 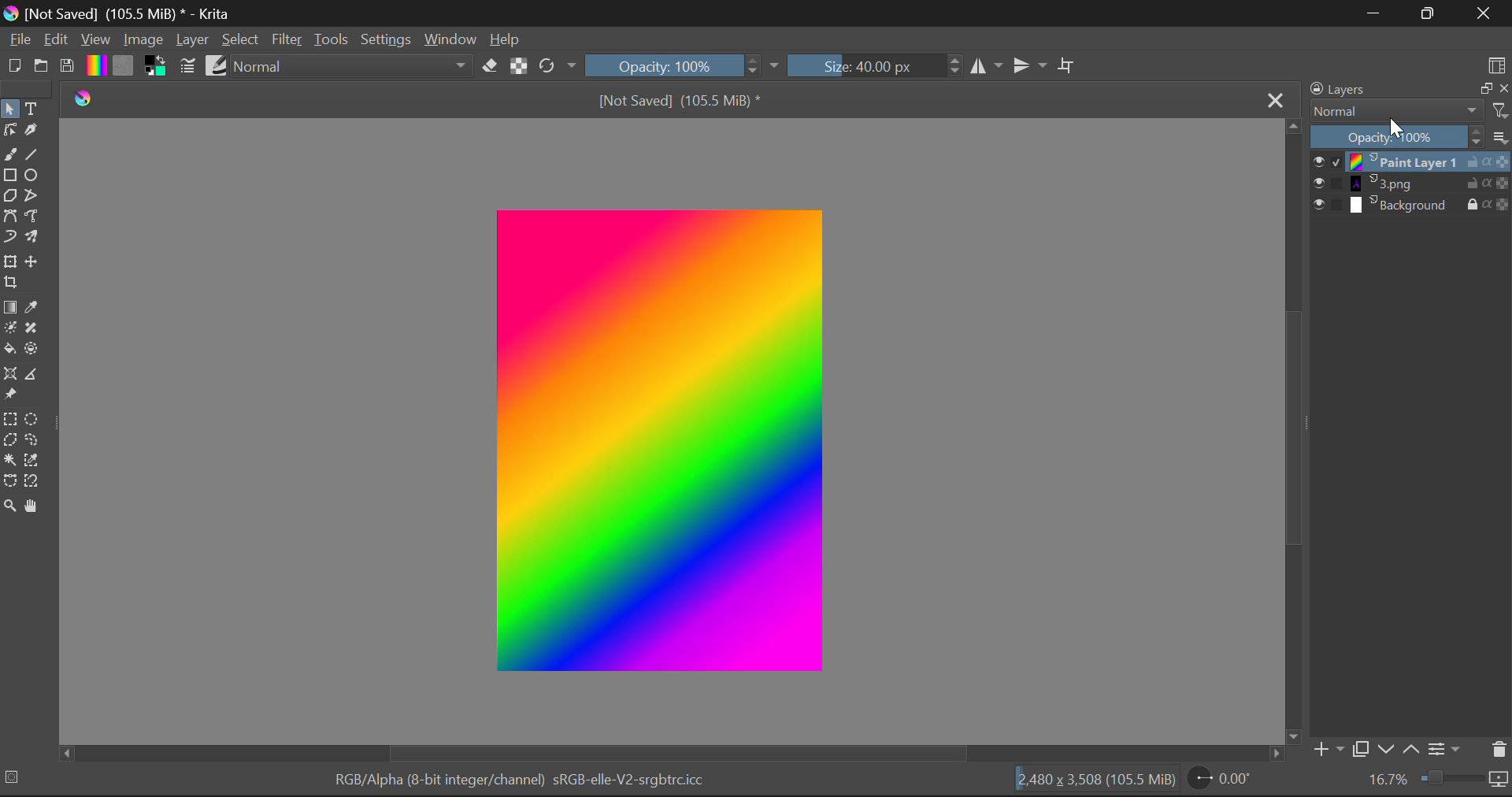 I want to click on Erase, so click(x=492, y=69).